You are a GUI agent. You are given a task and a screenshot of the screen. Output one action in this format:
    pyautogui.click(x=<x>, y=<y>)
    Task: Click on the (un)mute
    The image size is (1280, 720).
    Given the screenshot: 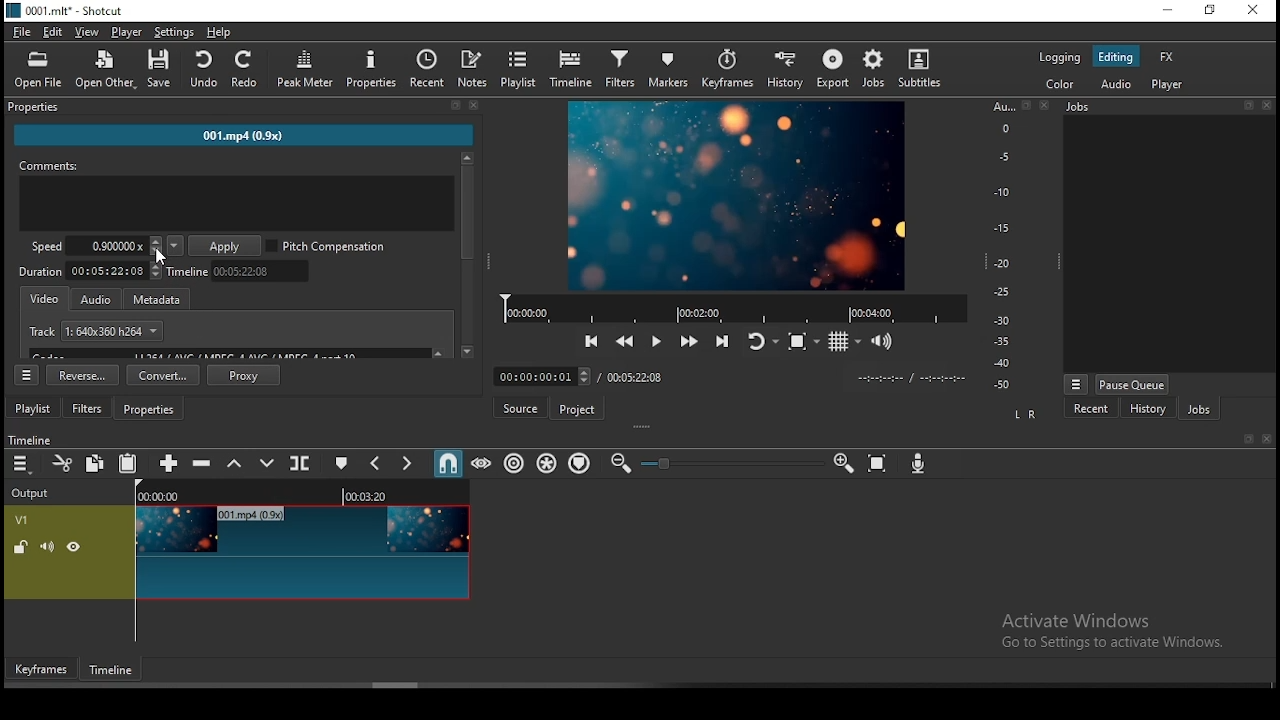 What is the action you would take?
    pyautogui.click(x=53, y=548)
    